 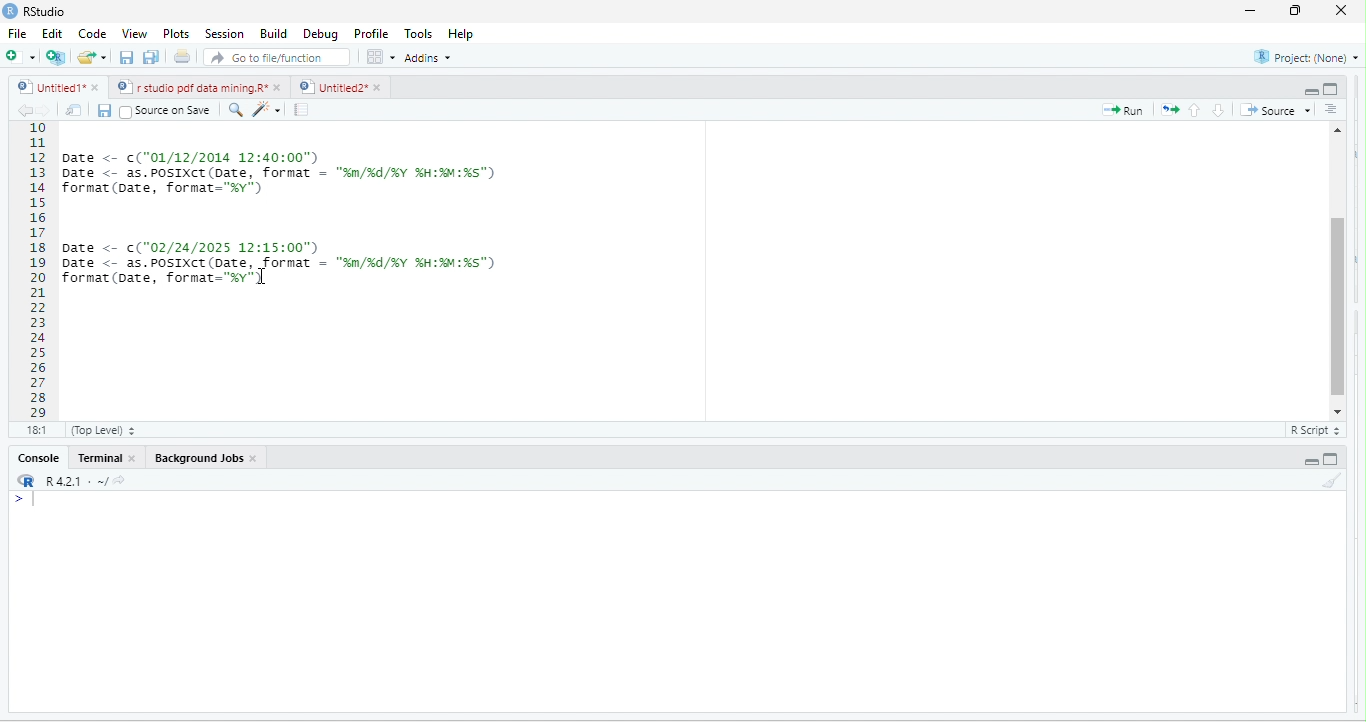 I want to click on save current document, so click(x=125, y=60).